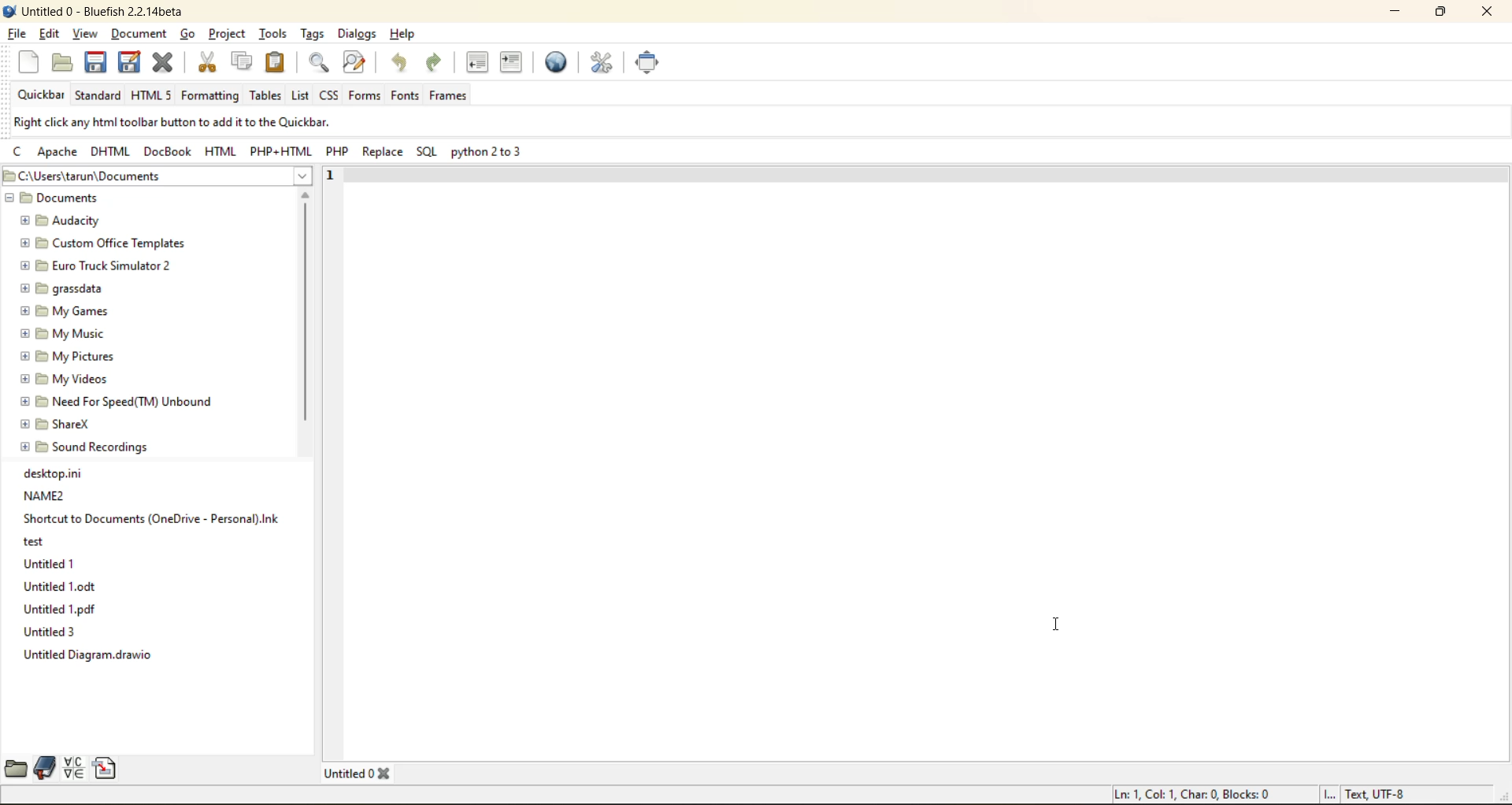  I want to click on full screen, so click(648, 64).